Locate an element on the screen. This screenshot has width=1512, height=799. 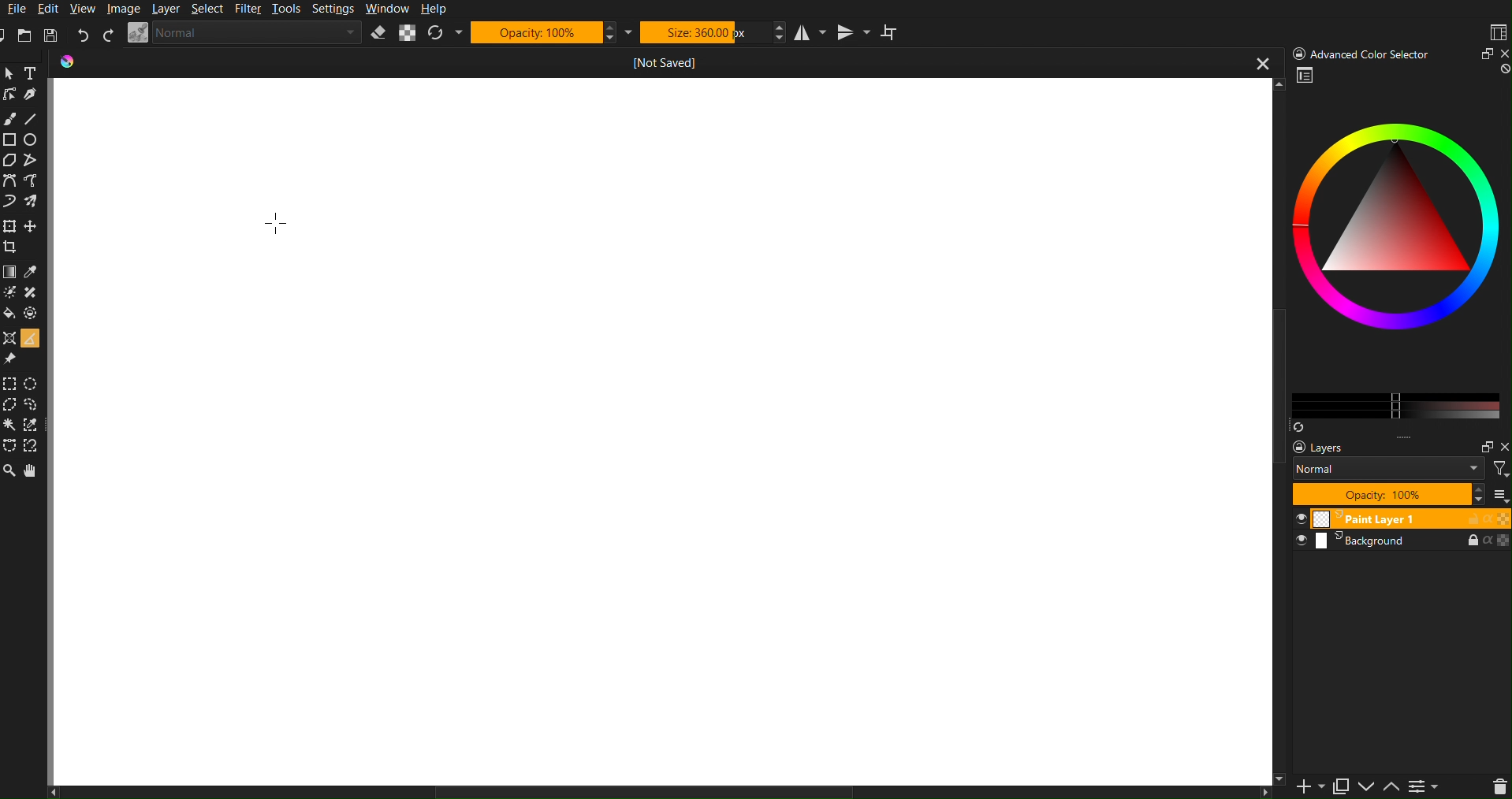
Alpha is located at coordinates (408, 33).